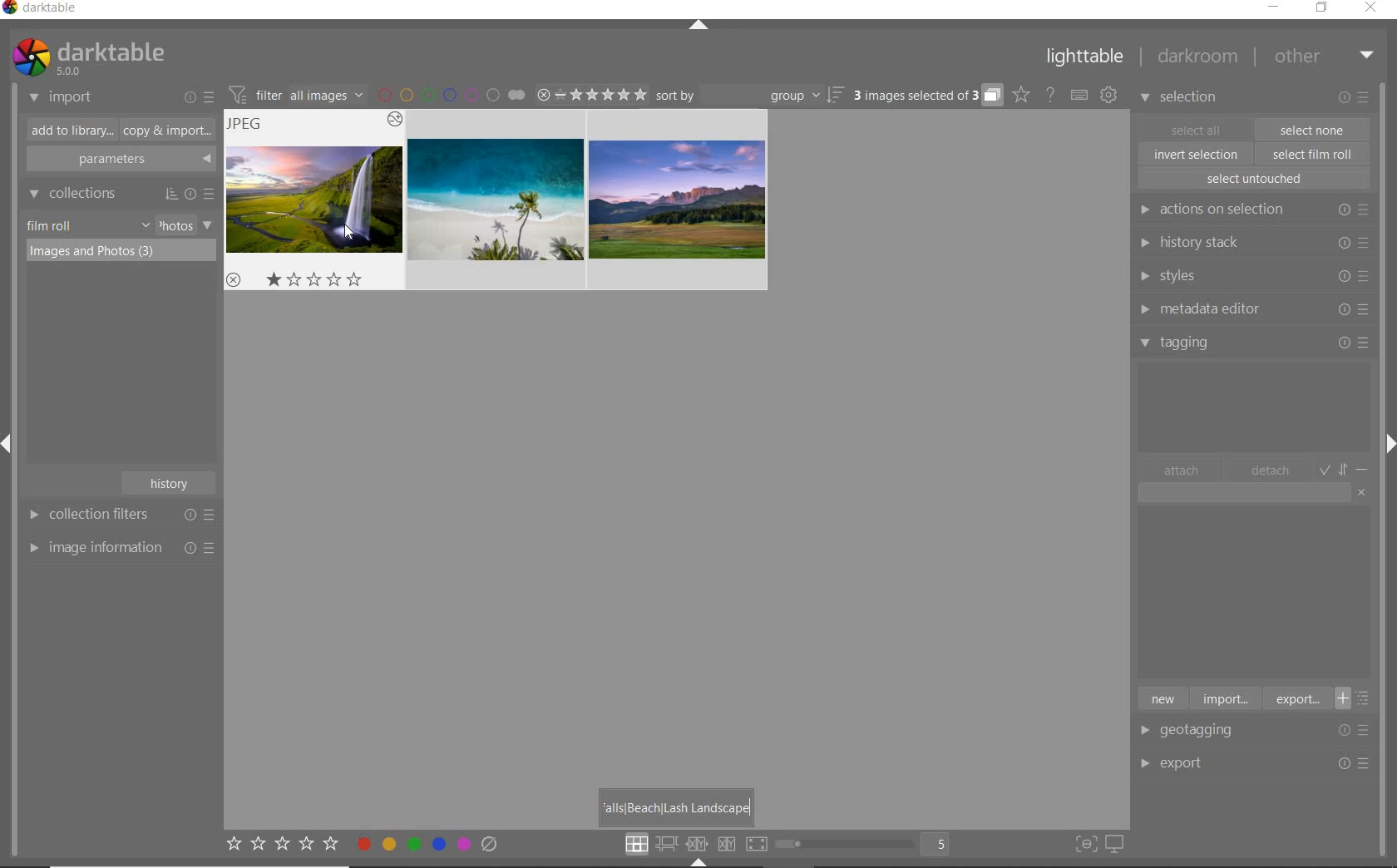 This screenshot has height=868, width=1397. What do you see at coordinates (1202, 732) in the screenshot?
I see `geotagging` at bounding box center [1202, 732].